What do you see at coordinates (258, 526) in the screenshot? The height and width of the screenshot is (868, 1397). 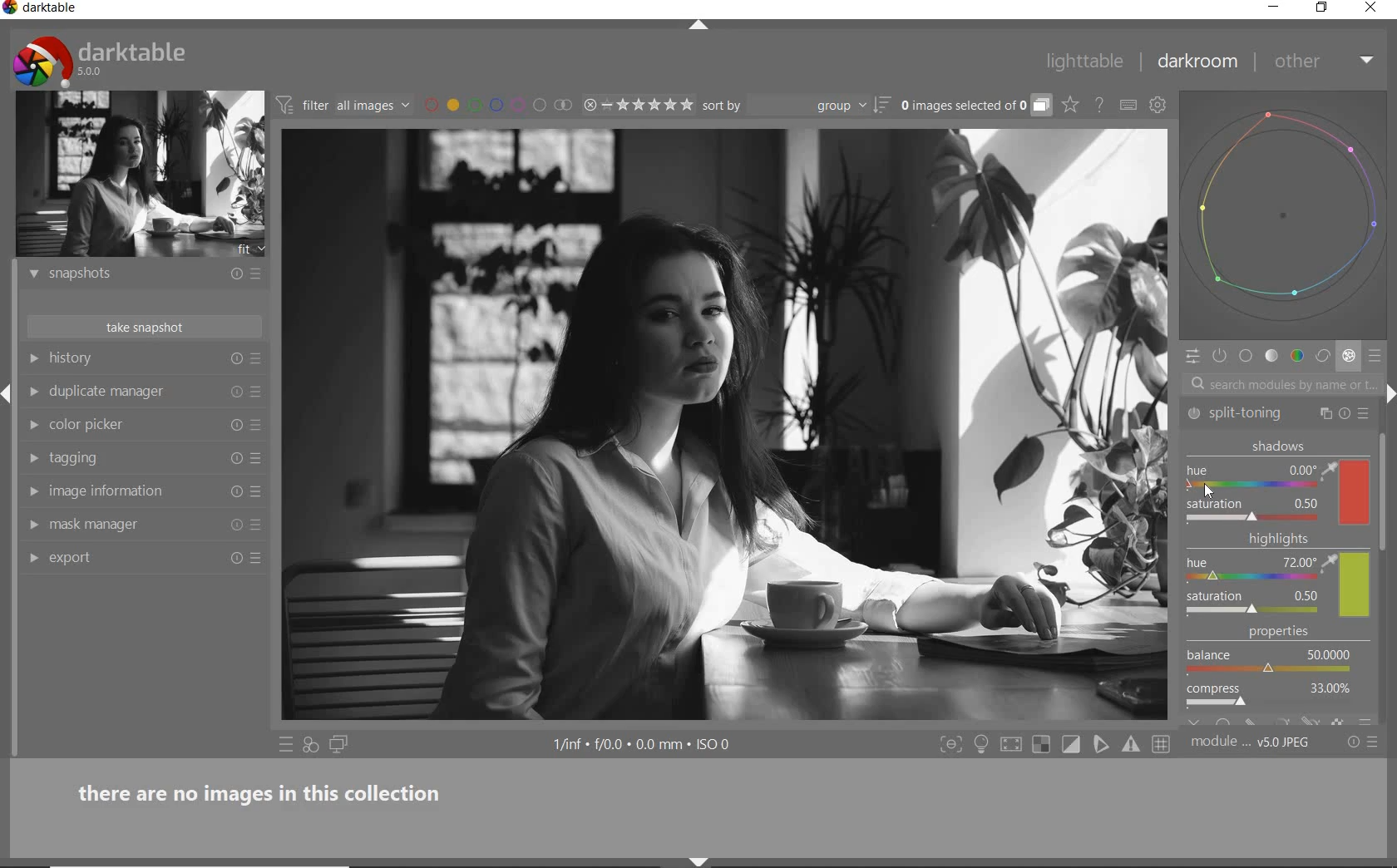 I see `preset and preferences` at bounding box center [258, 526].